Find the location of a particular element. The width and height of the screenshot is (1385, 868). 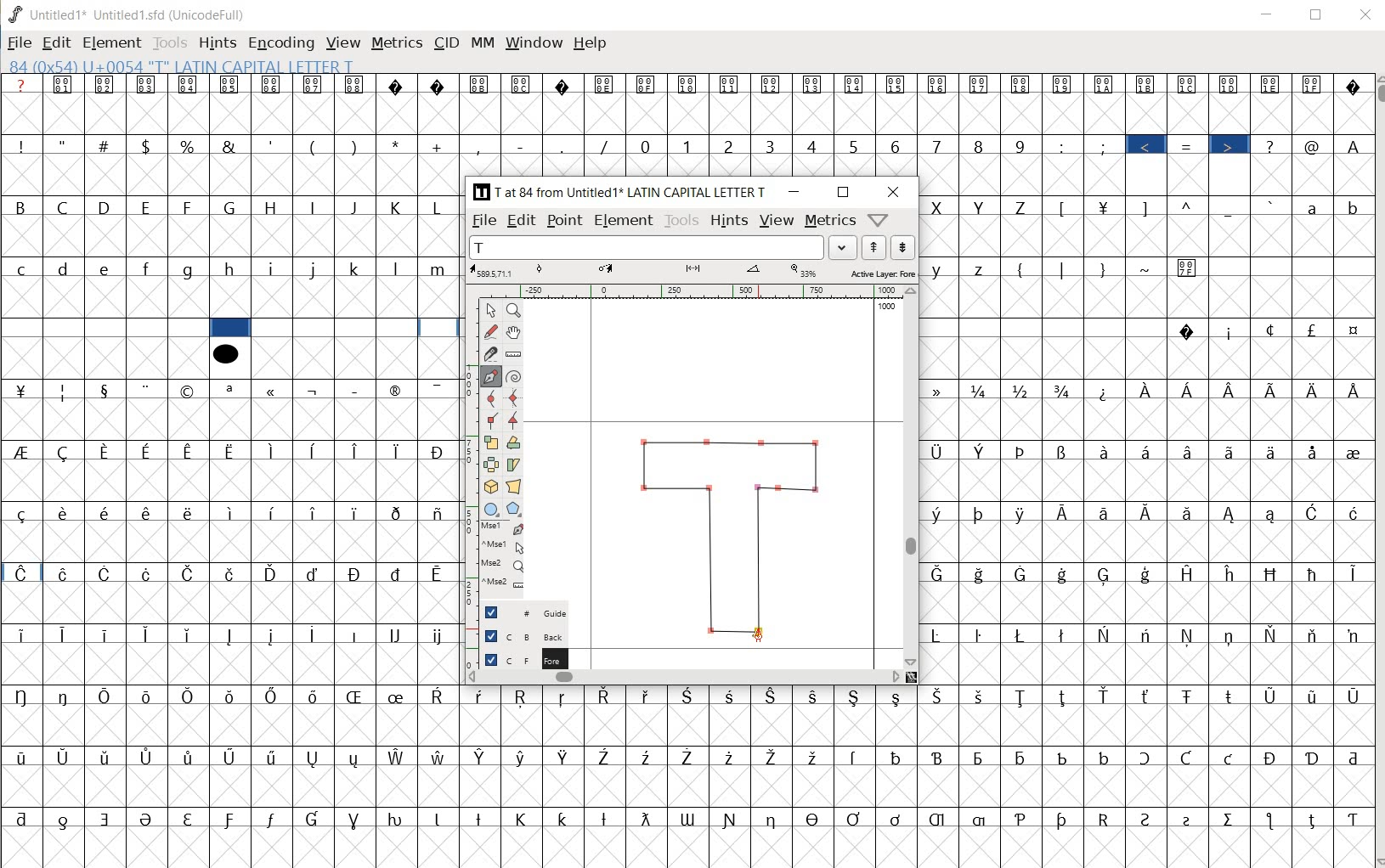

Symbol is located at coordinates (1314, 513).